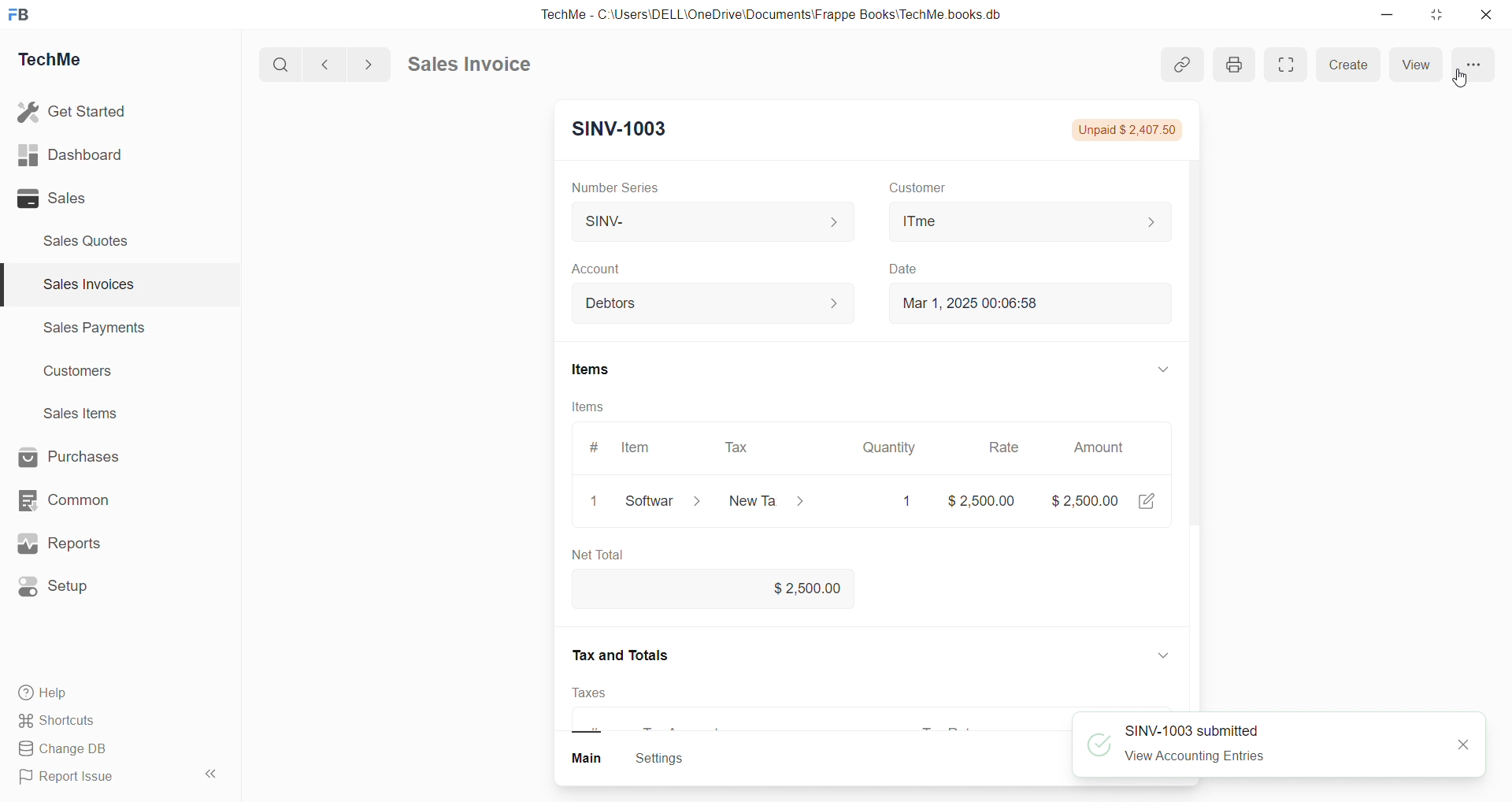 The width and height of the screenshot is (1512, 802). What do you see at coordinates (1439, 18) in the screenshot?
I see `Maximize` at bounding box center [1439, 18].